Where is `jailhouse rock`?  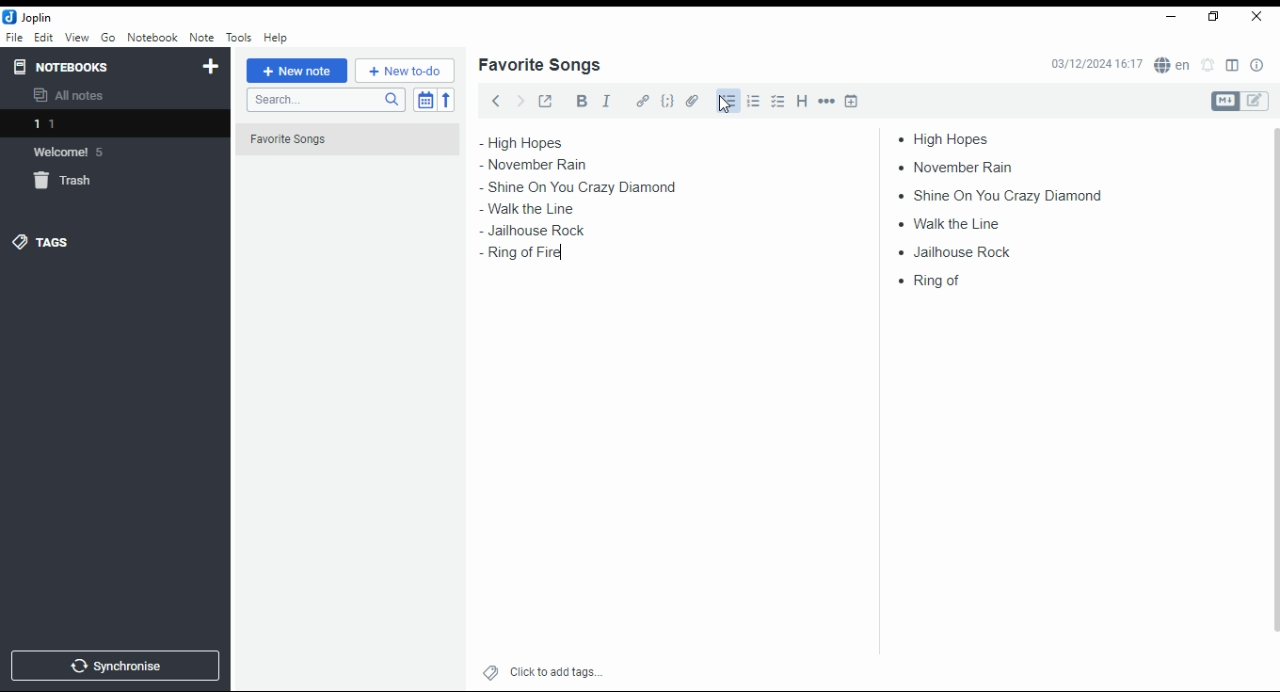 jailhouse rock is located at coordinates (531, 231).